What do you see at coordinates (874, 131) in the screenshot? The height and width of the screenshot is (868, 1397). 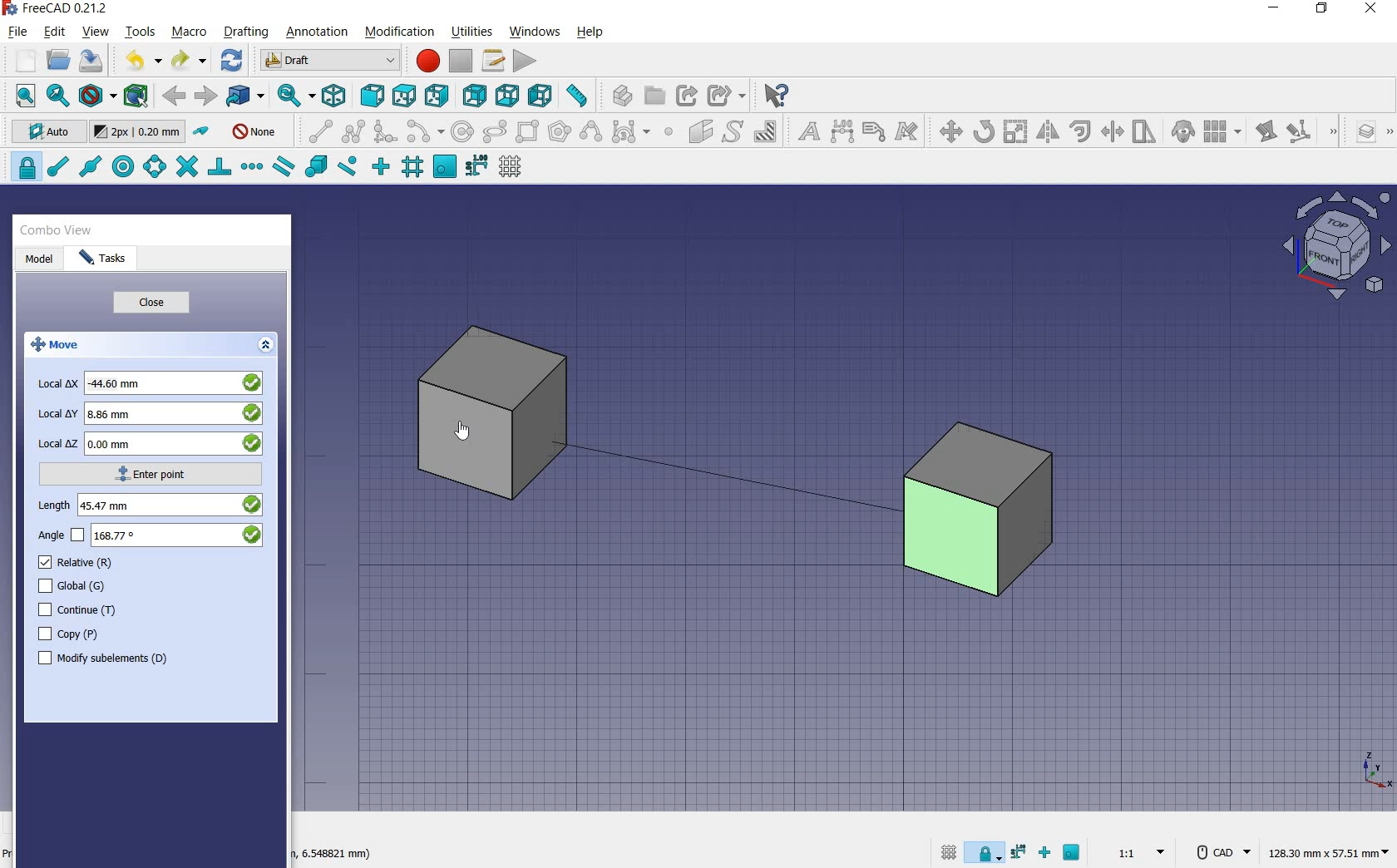 I see `label` at bounding box center [874, 131].